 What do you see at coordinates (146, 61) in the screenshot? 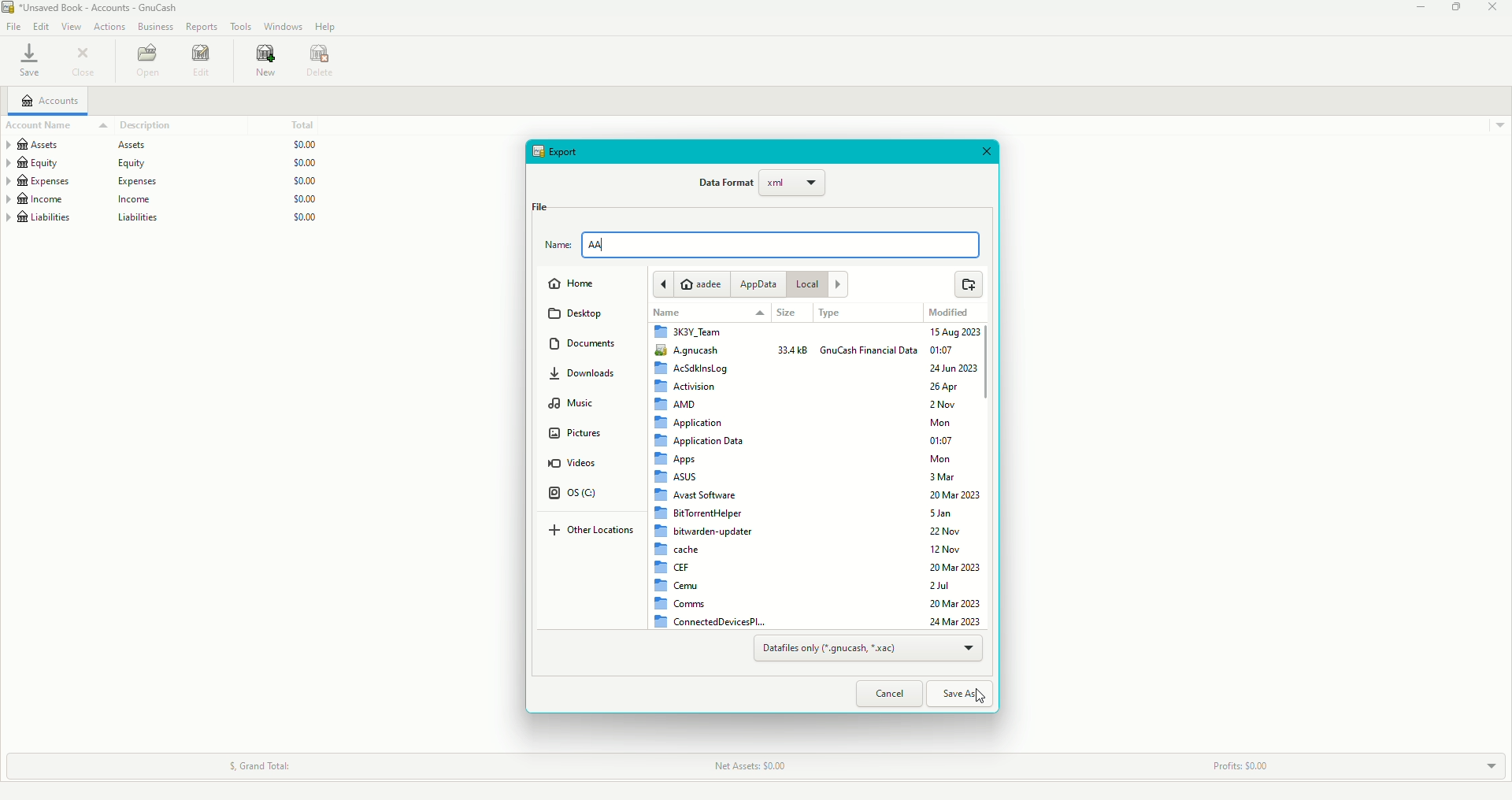
I see `Open` at bounding box center [146, 61].